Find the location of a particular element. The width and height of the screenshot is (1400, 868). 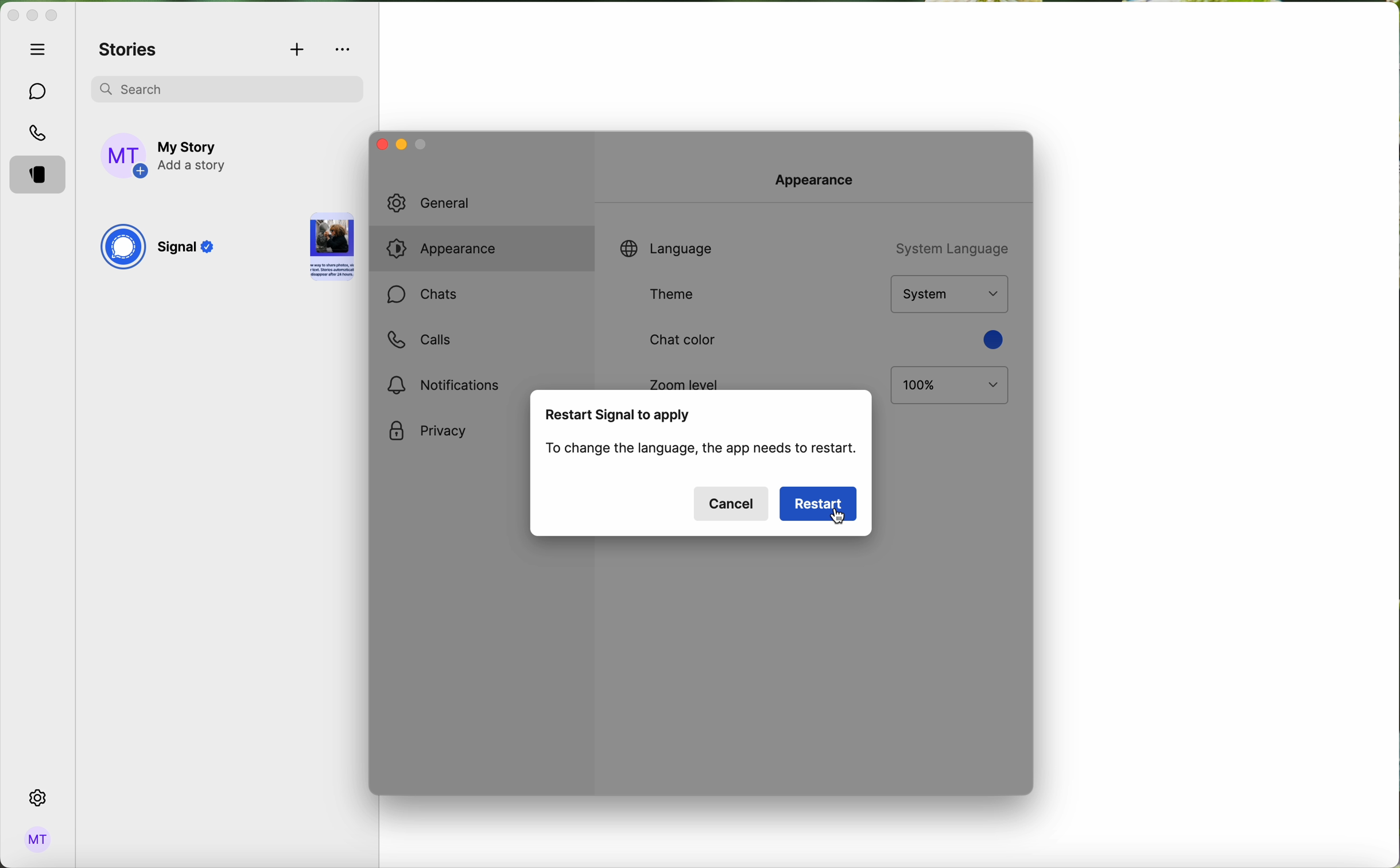

story is located at coordinates (332, 249).